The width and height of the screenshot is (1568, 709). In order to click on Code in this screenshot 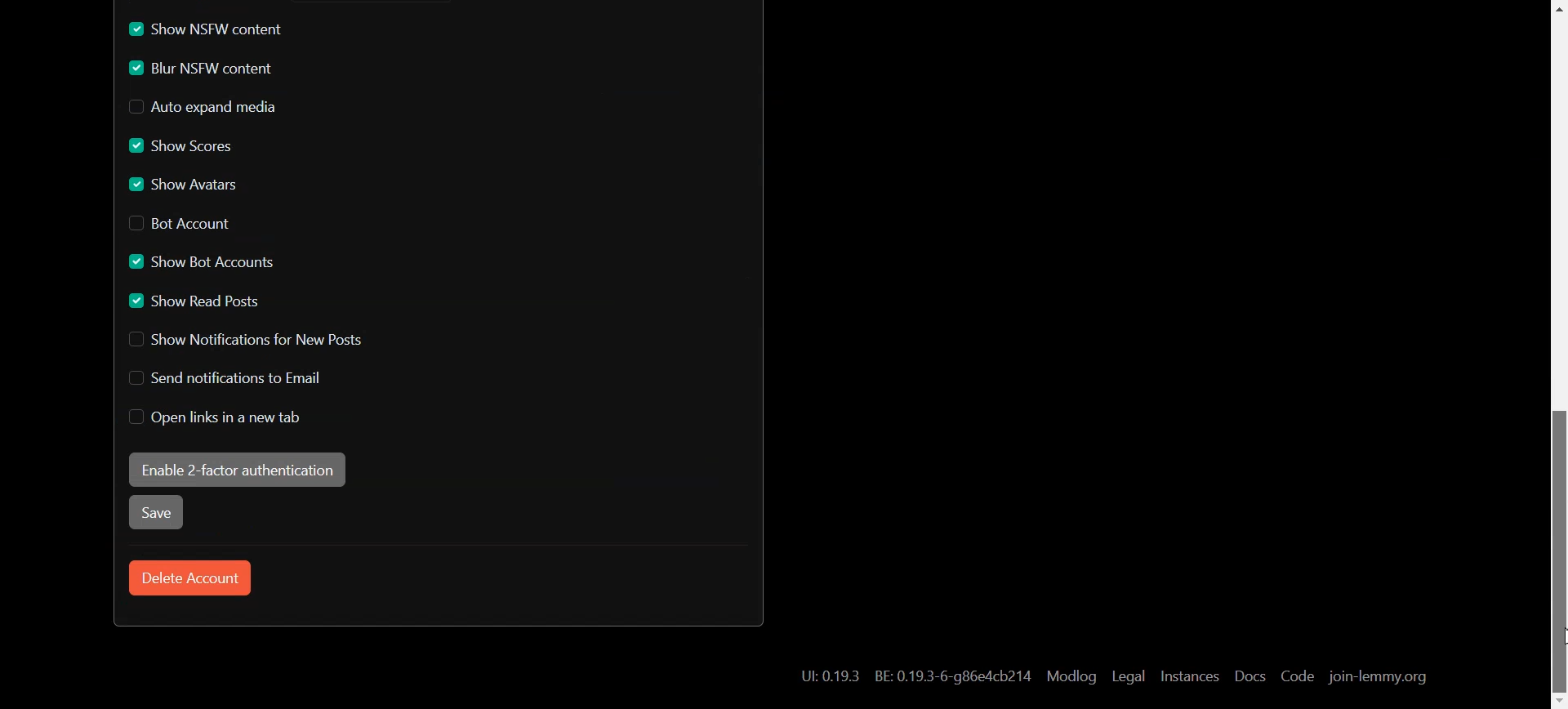, I will do `click(1298, 676)`.